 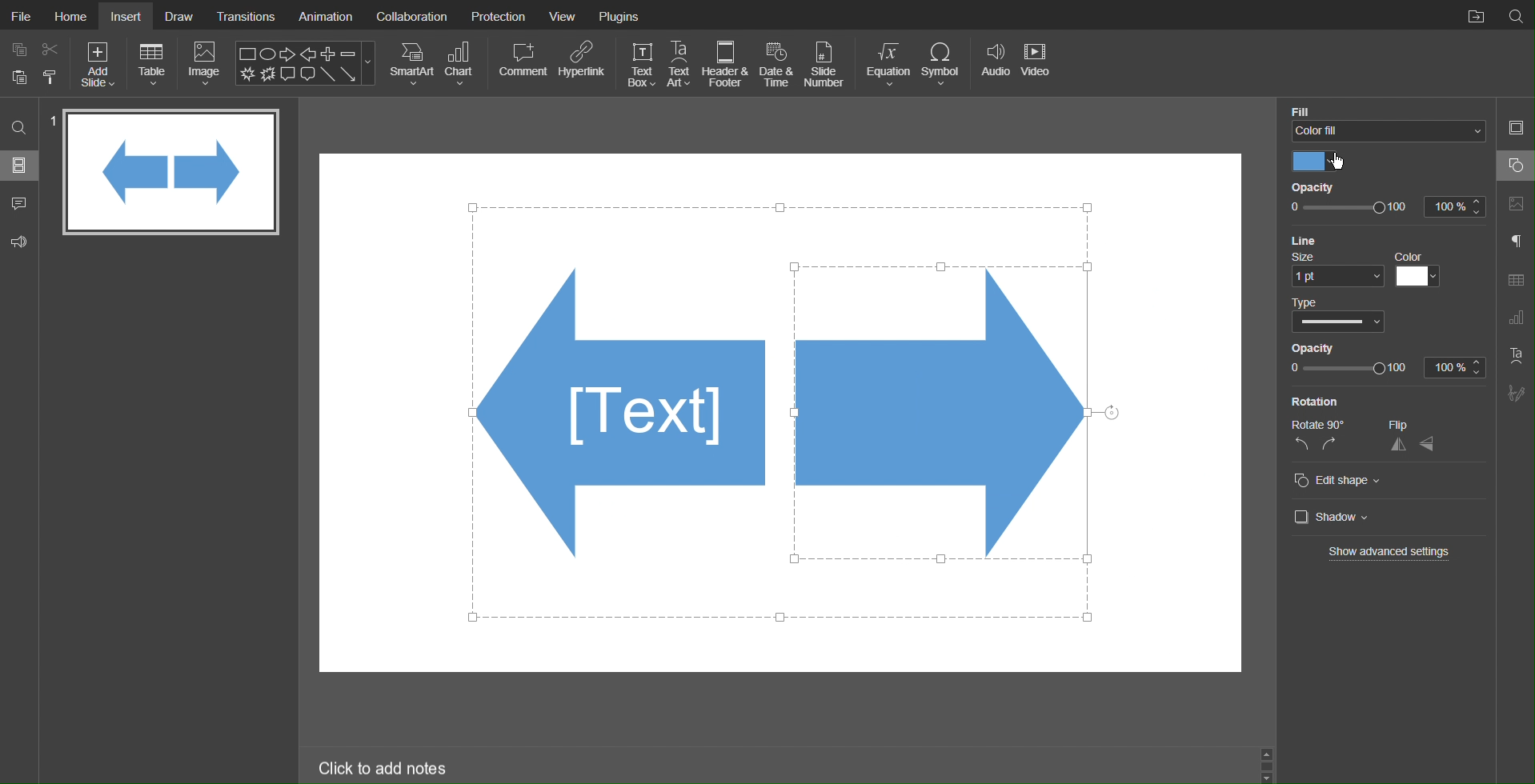 I want to click on Equation, so click(x=886, y=64).